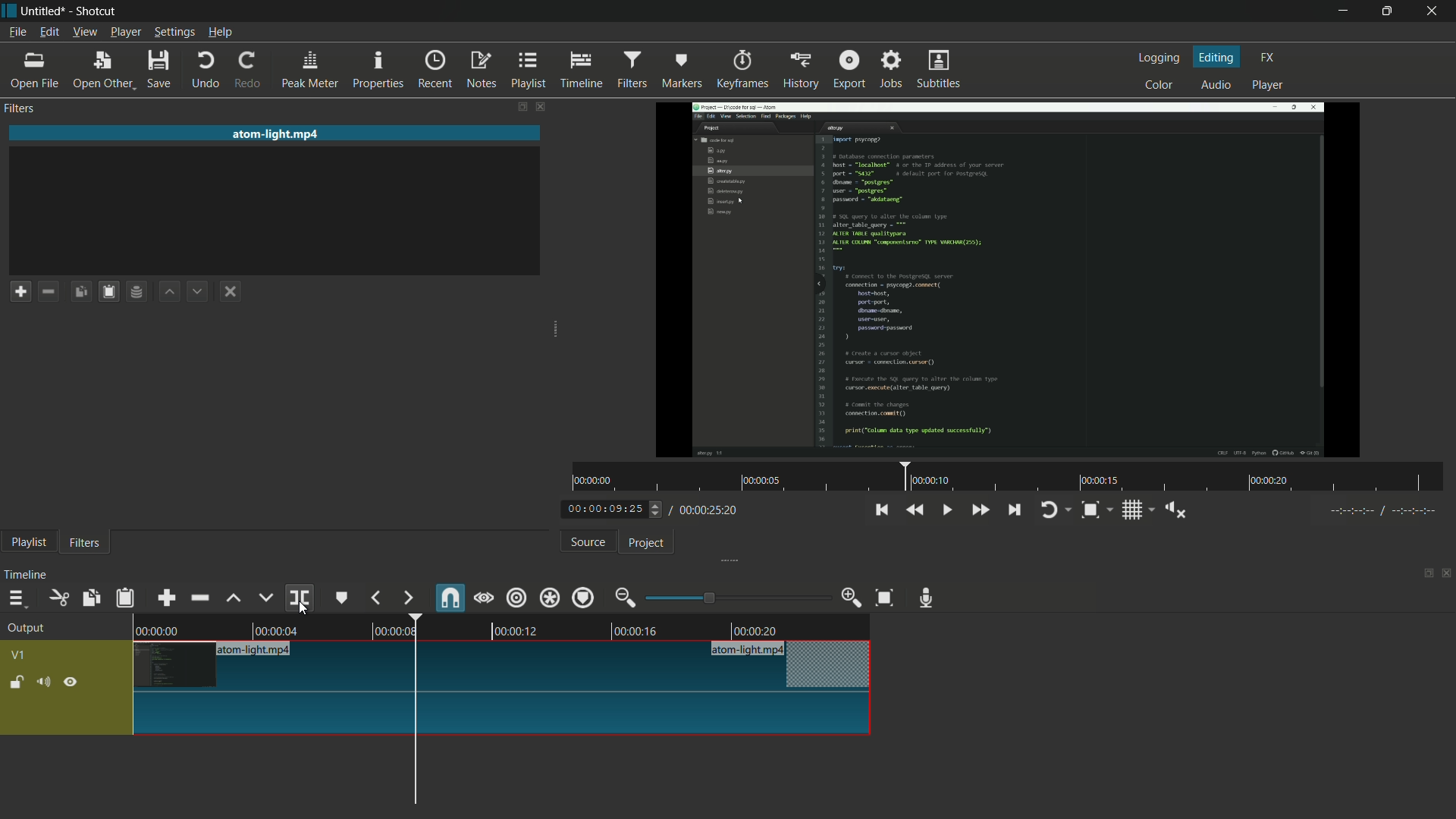 This screenshot has width=1456, height=819. What do you see at coordinates (484, 598) in the screenshot?
I see `scrub while dragging` at bounding box center [484, 598].